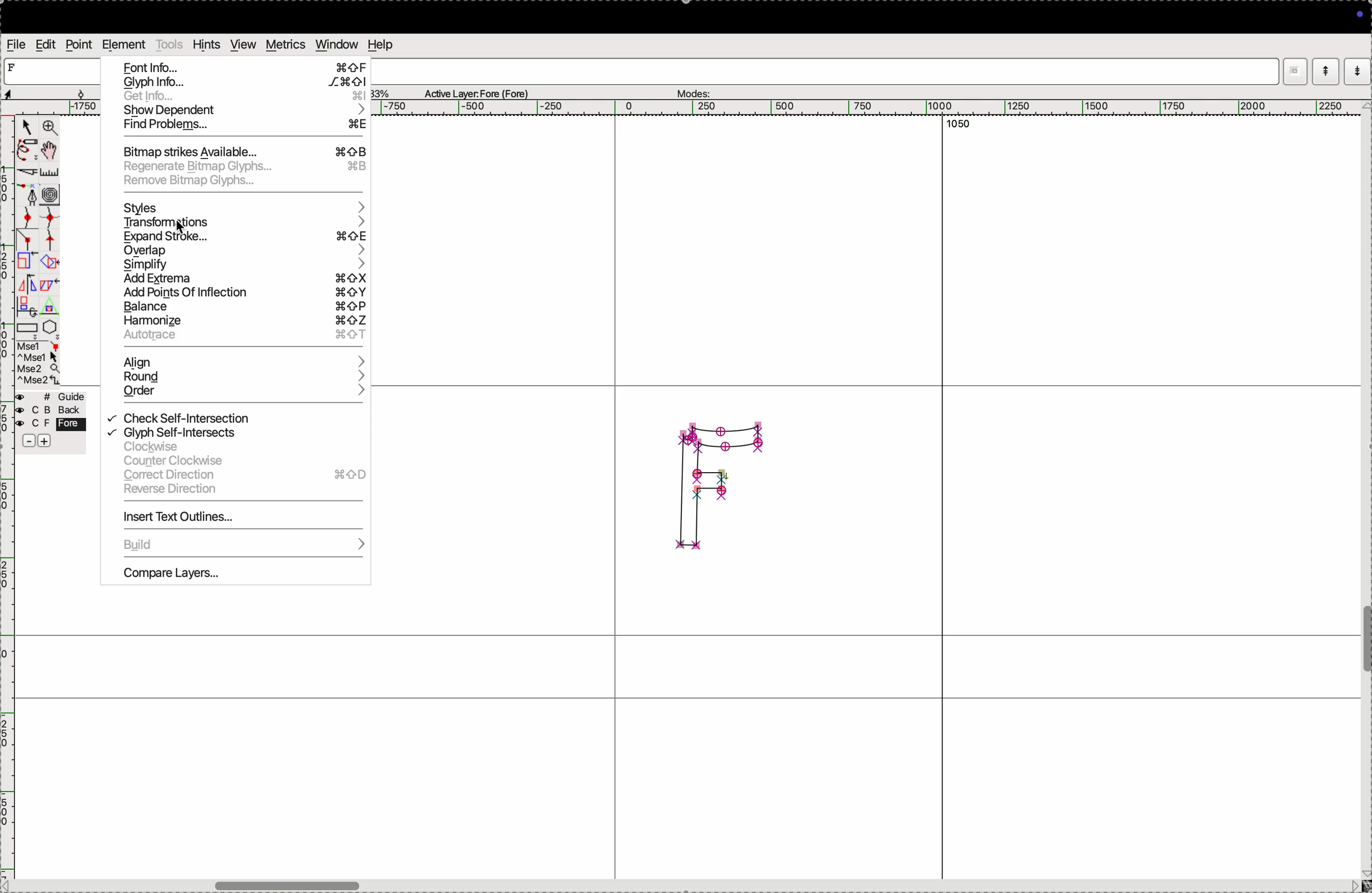 This screenshot has height=893, width=1372. Describe the element at coordinates (49, 306) in the screenshot. I see `Triangle` at that location.